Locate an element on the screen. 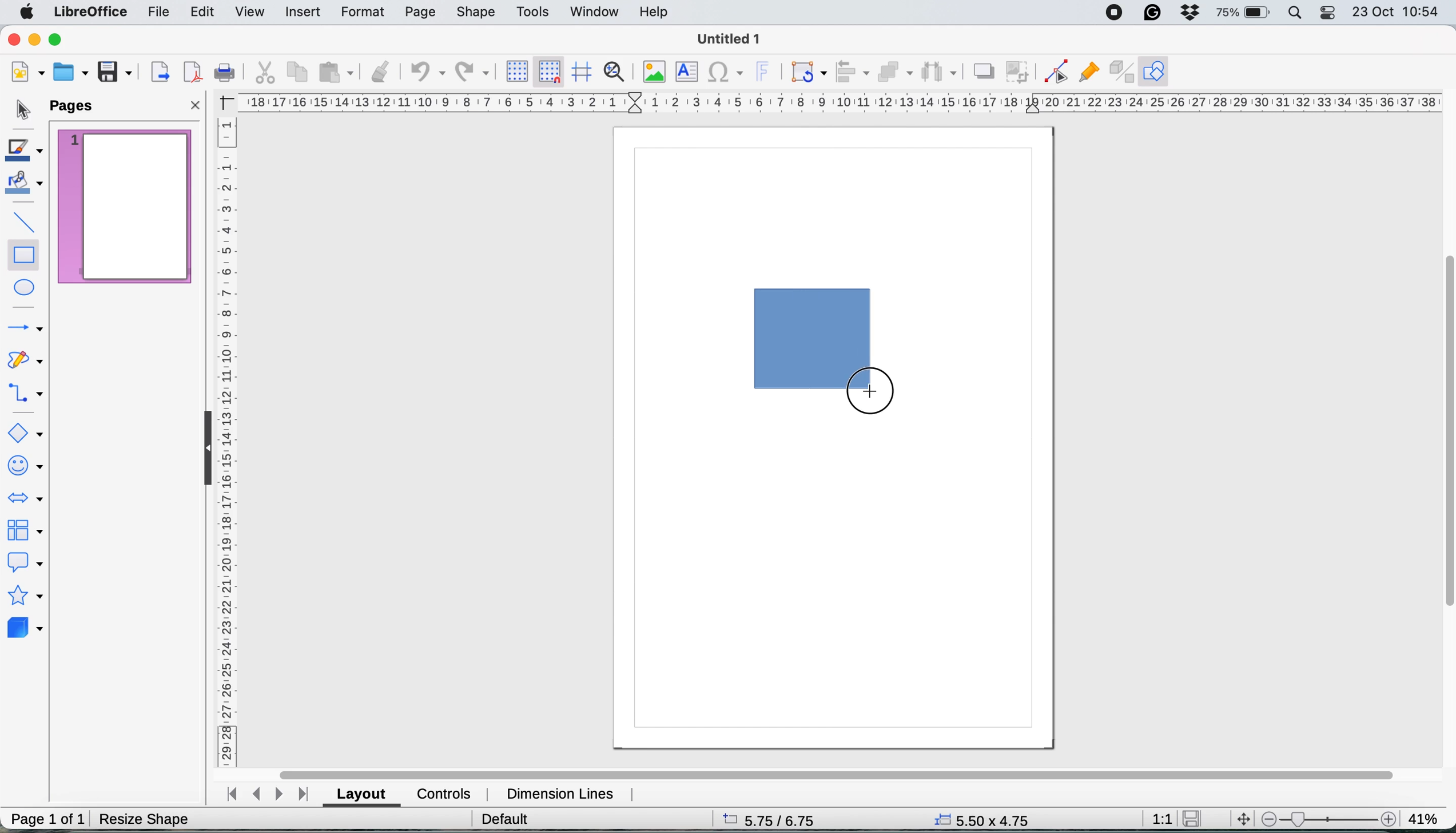  fill color is located at coordinates (27, 187).